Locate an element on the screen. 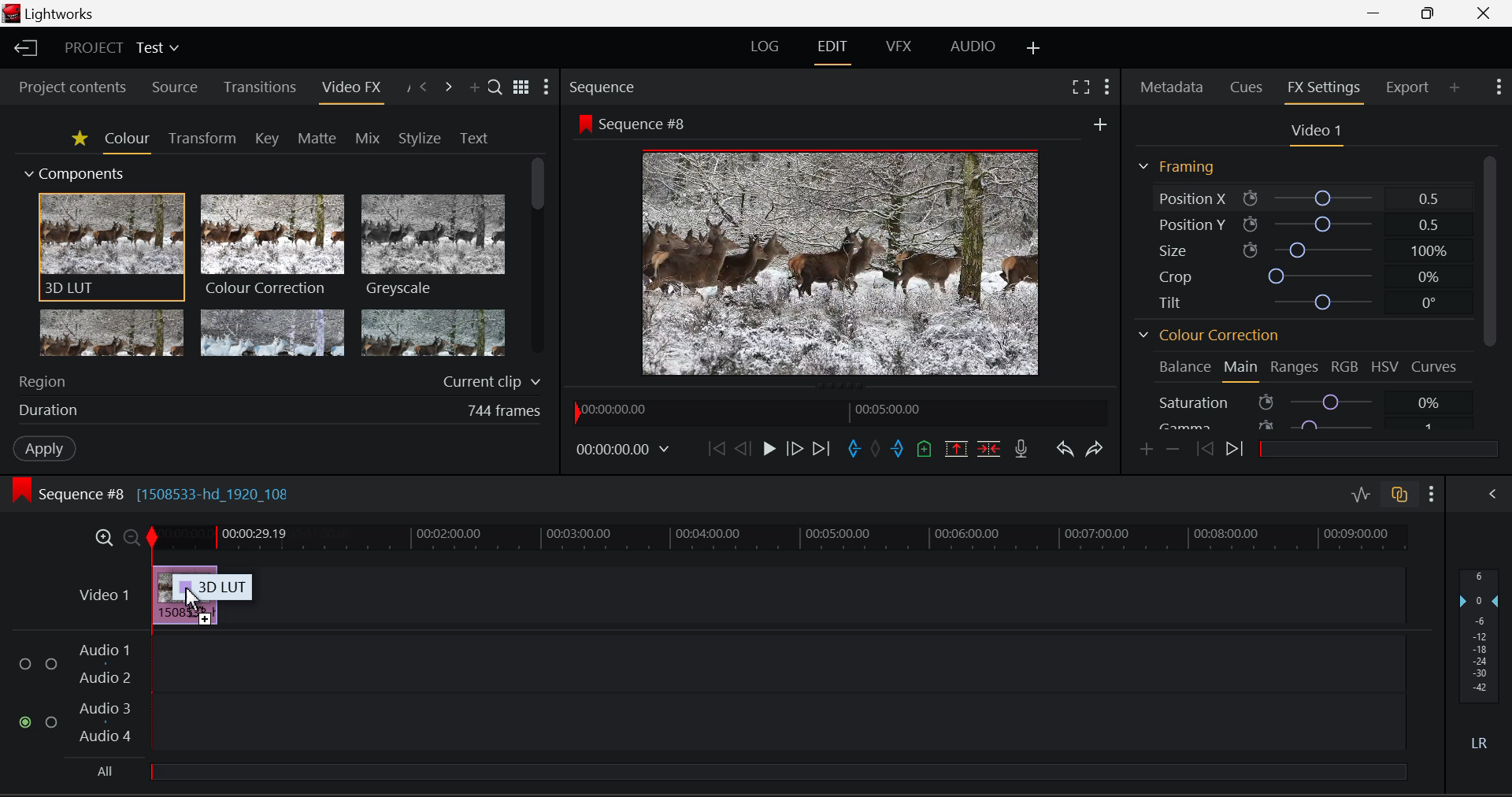 The width and height of the screenshot is (1512, 797). Add Layout is located at coordinates (1032, 48).